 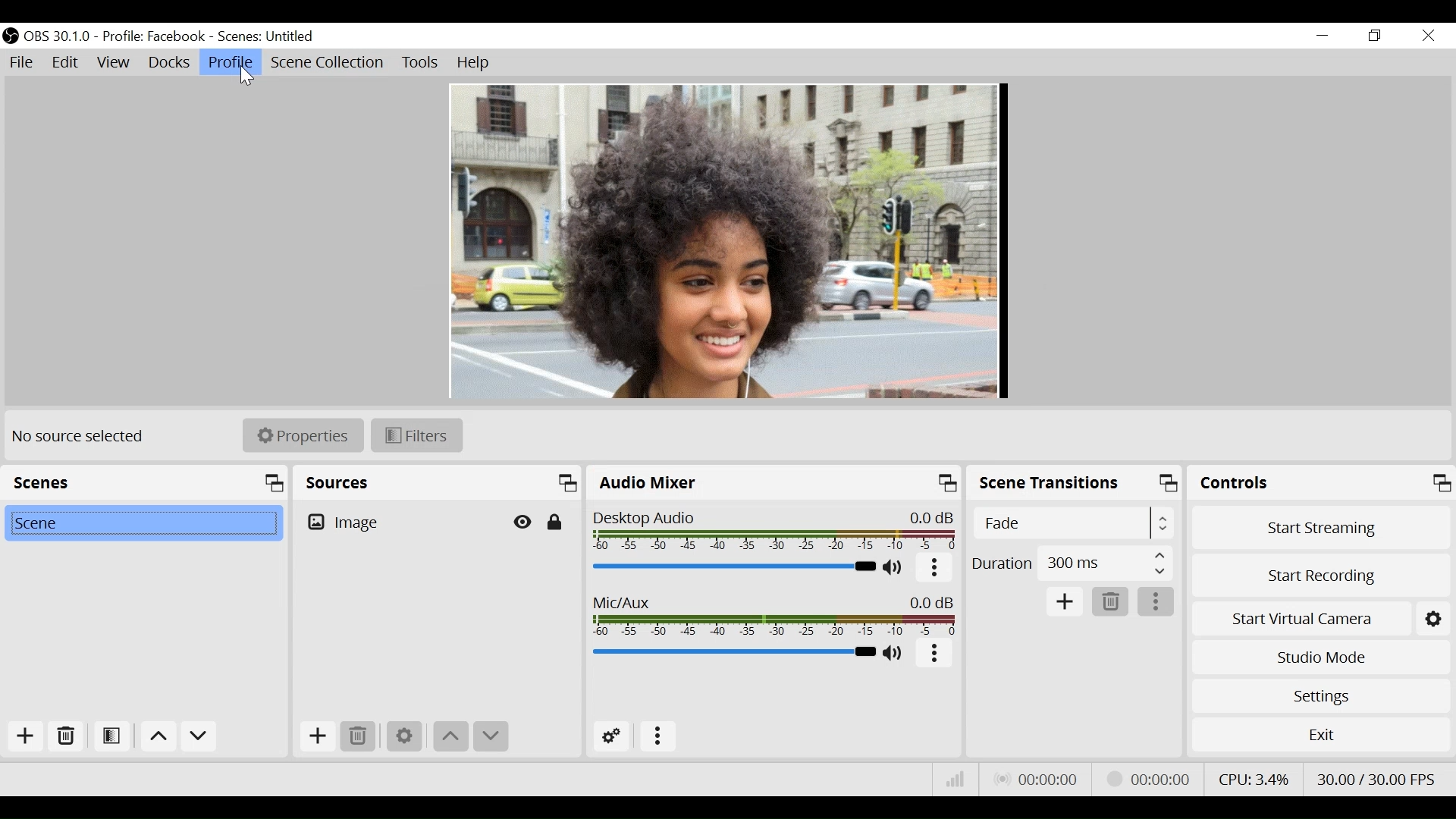 I want to click on Scenes Panel, so click(x=144, y=482).